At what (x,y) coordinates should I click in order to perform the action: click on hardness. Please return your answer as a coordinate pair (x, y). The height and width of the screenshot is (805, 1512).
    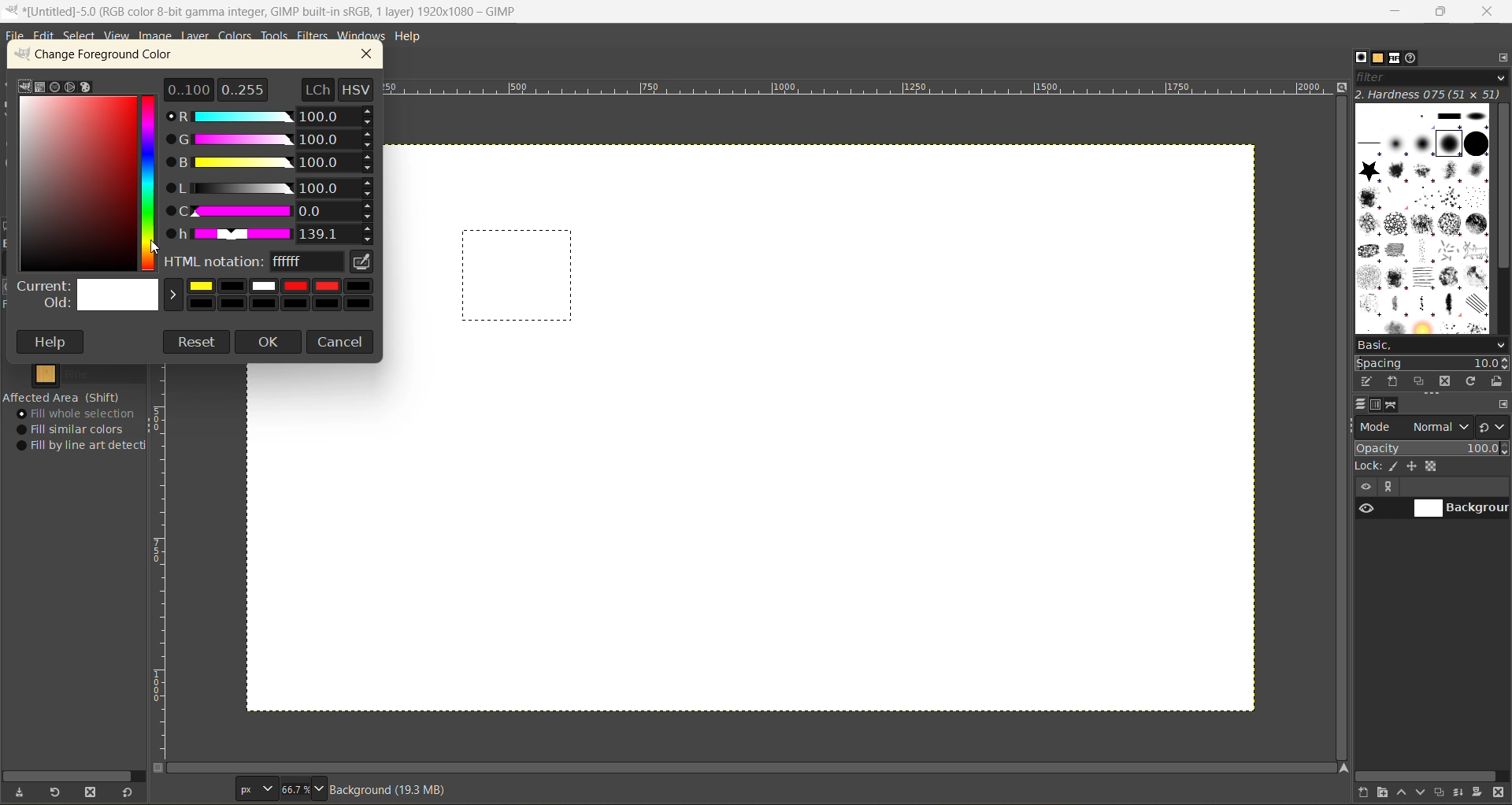
    Looking at the image, I should click on (1430, 95).